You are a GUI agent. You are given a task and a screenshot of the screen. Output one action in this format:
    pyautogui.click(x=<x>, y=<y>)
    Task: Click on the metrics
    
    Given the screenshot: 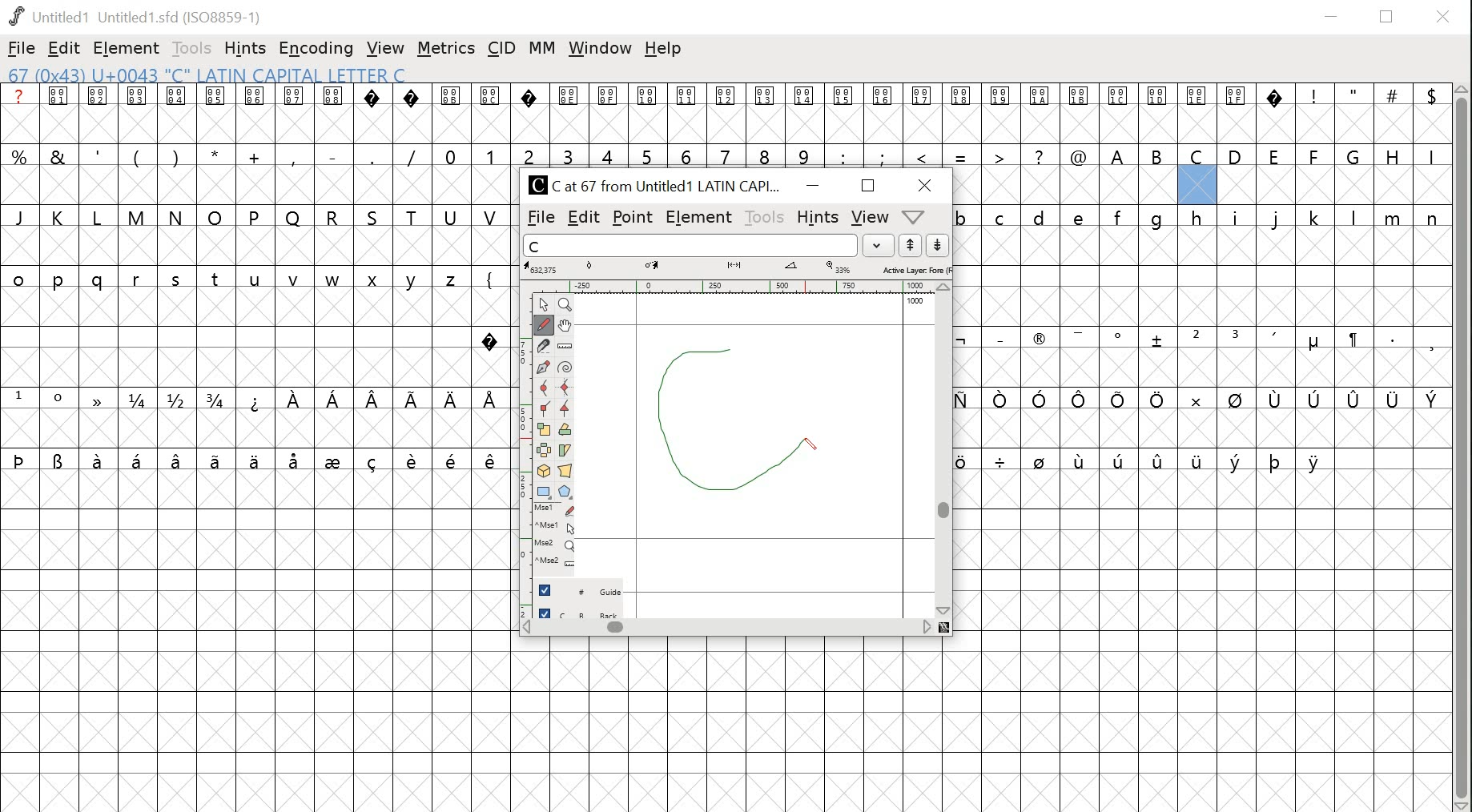 What is the action you would take?
    pyautogui.click(x=445, y=48)
    